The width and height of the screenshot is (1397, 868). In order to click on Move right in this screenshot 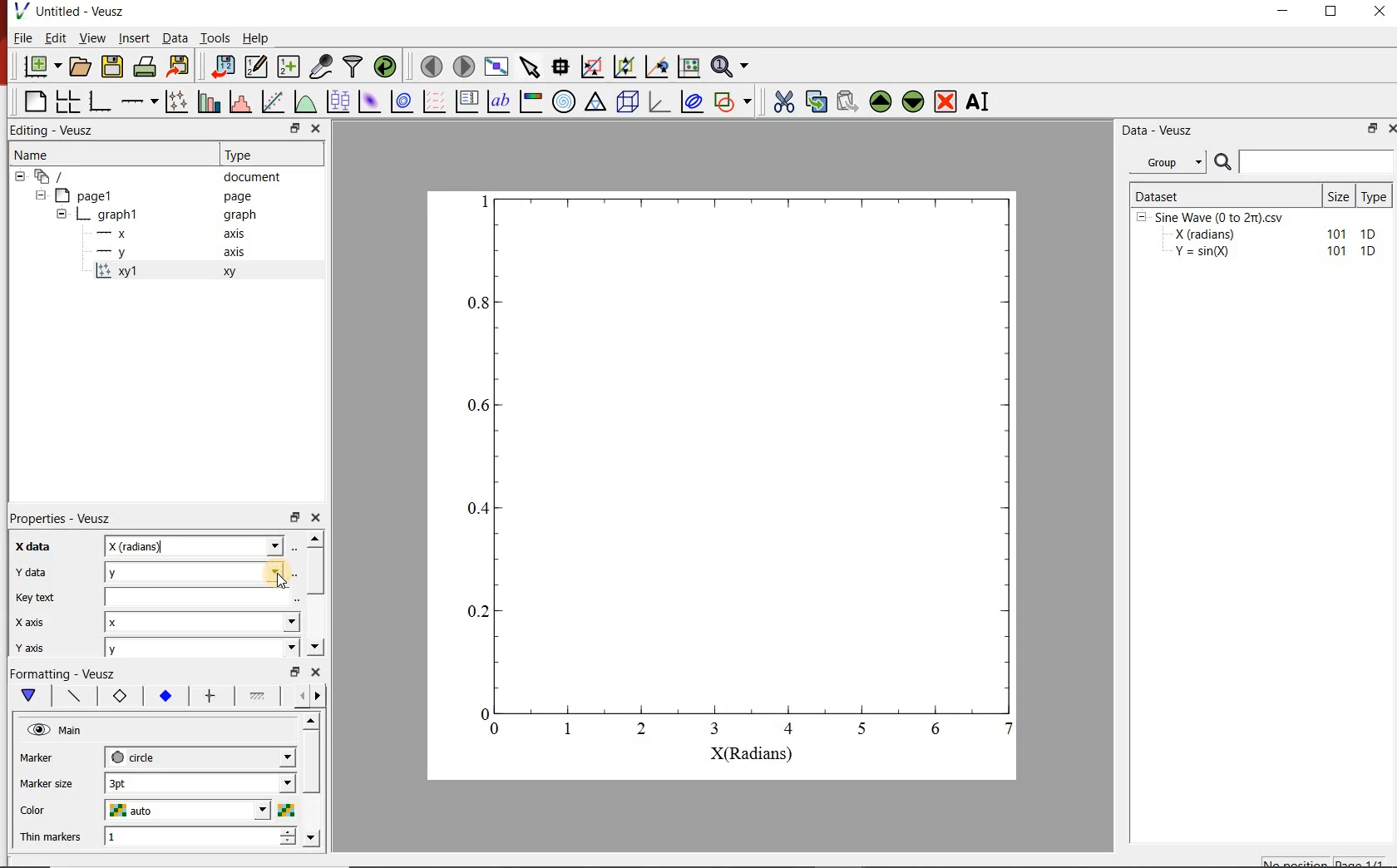, I will do `click(320, 696)`.